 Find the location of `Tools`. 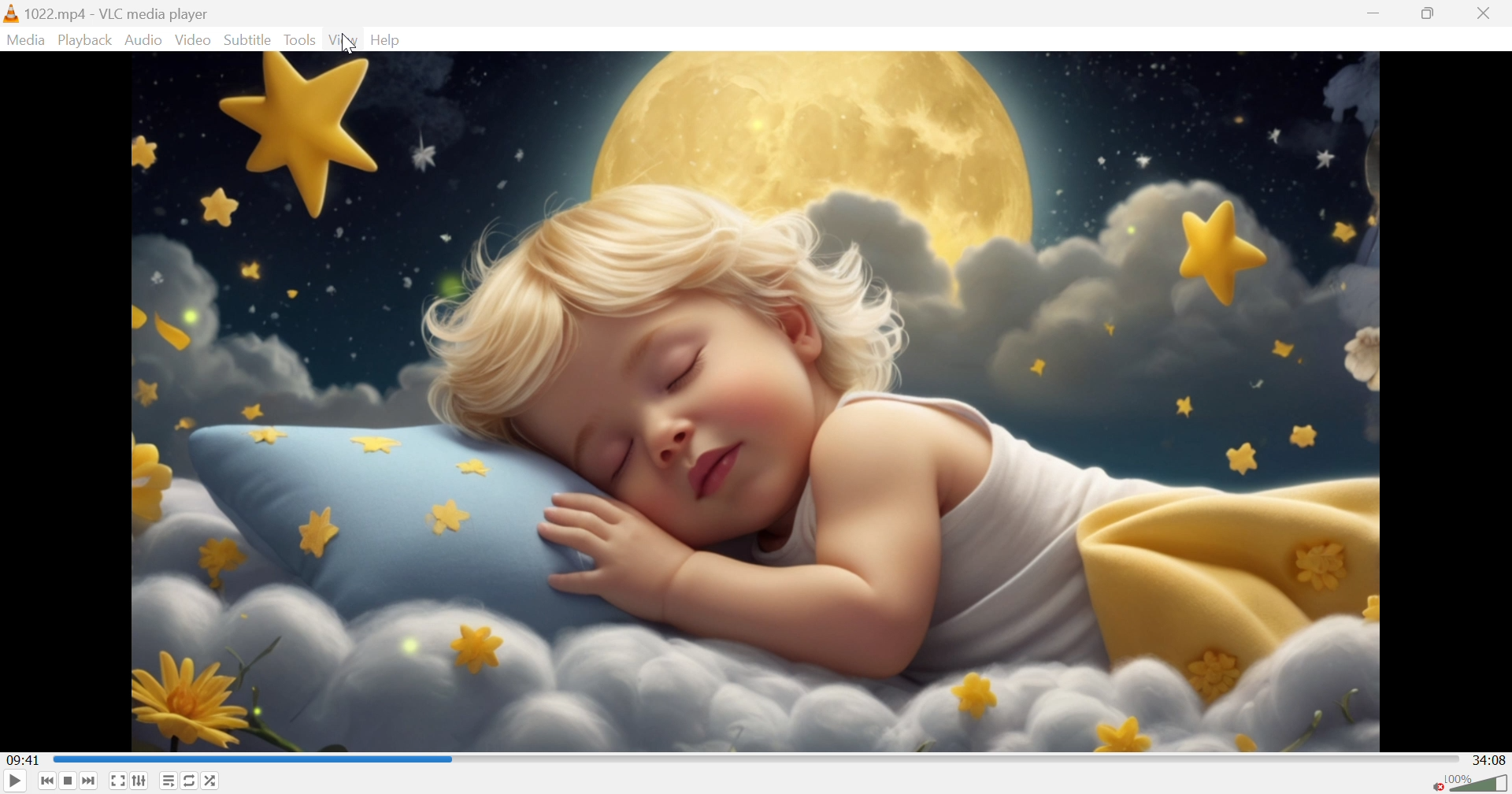

Tools is located at coordinates (301, 40).